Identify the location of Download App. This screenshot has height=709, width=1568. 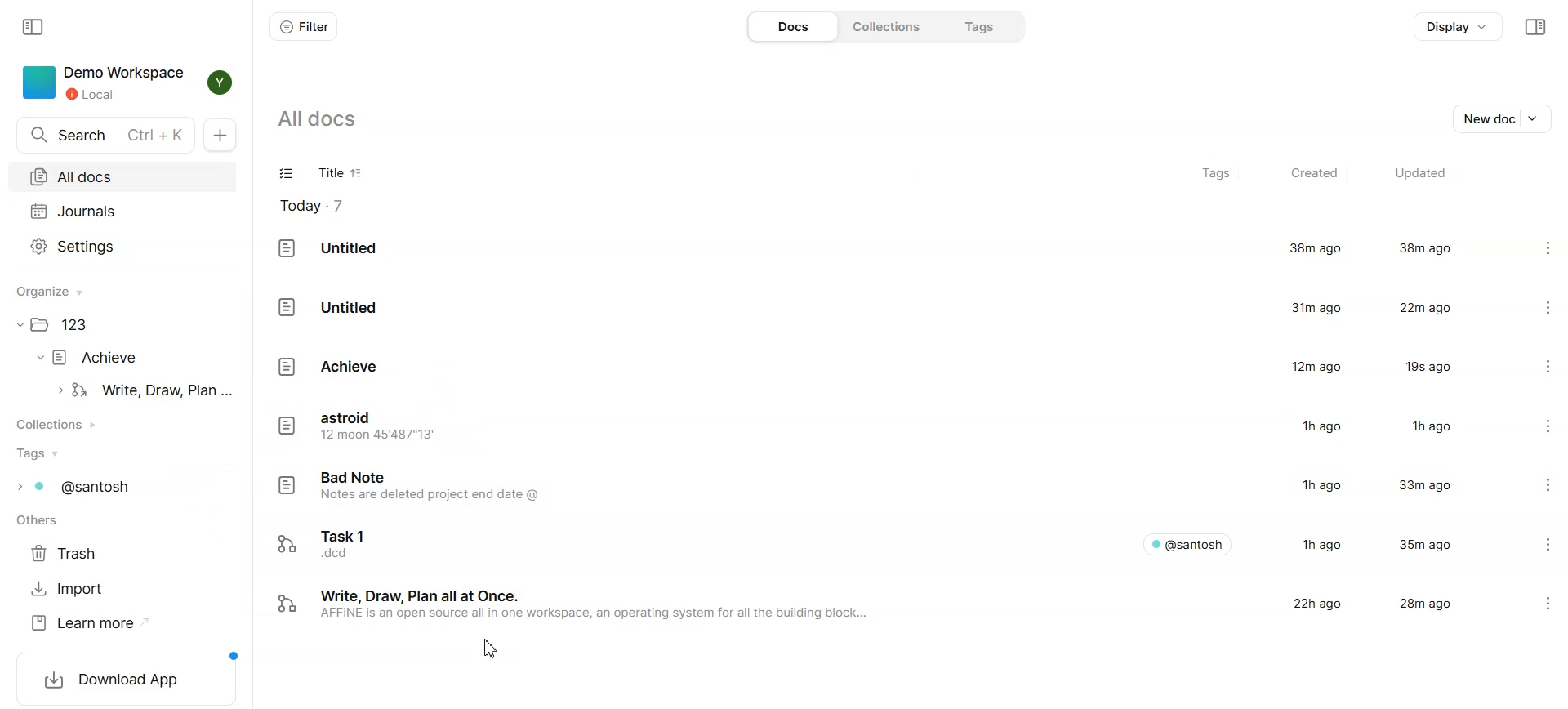
(127, 677).